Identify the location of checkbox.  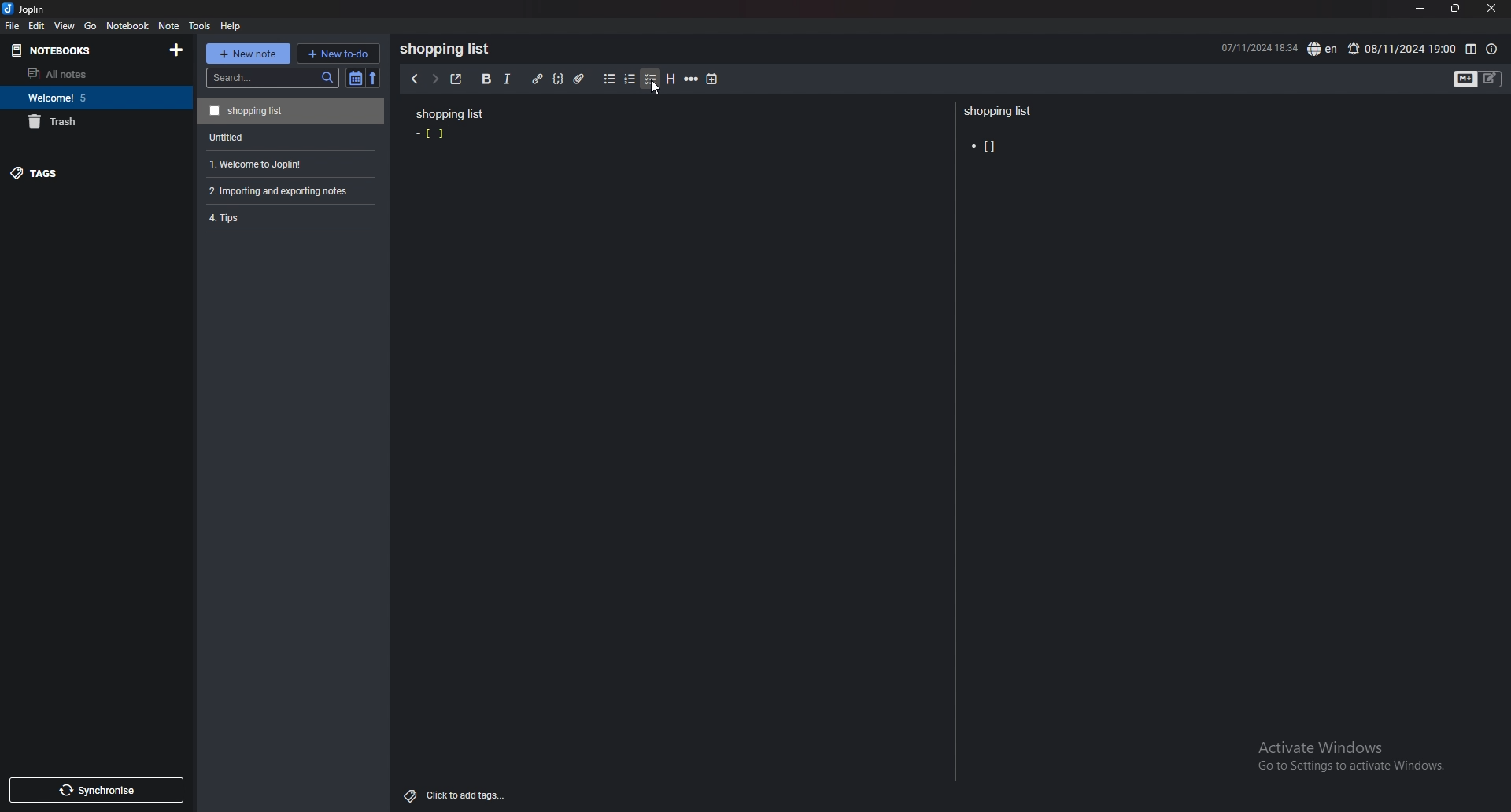
(651, 79).